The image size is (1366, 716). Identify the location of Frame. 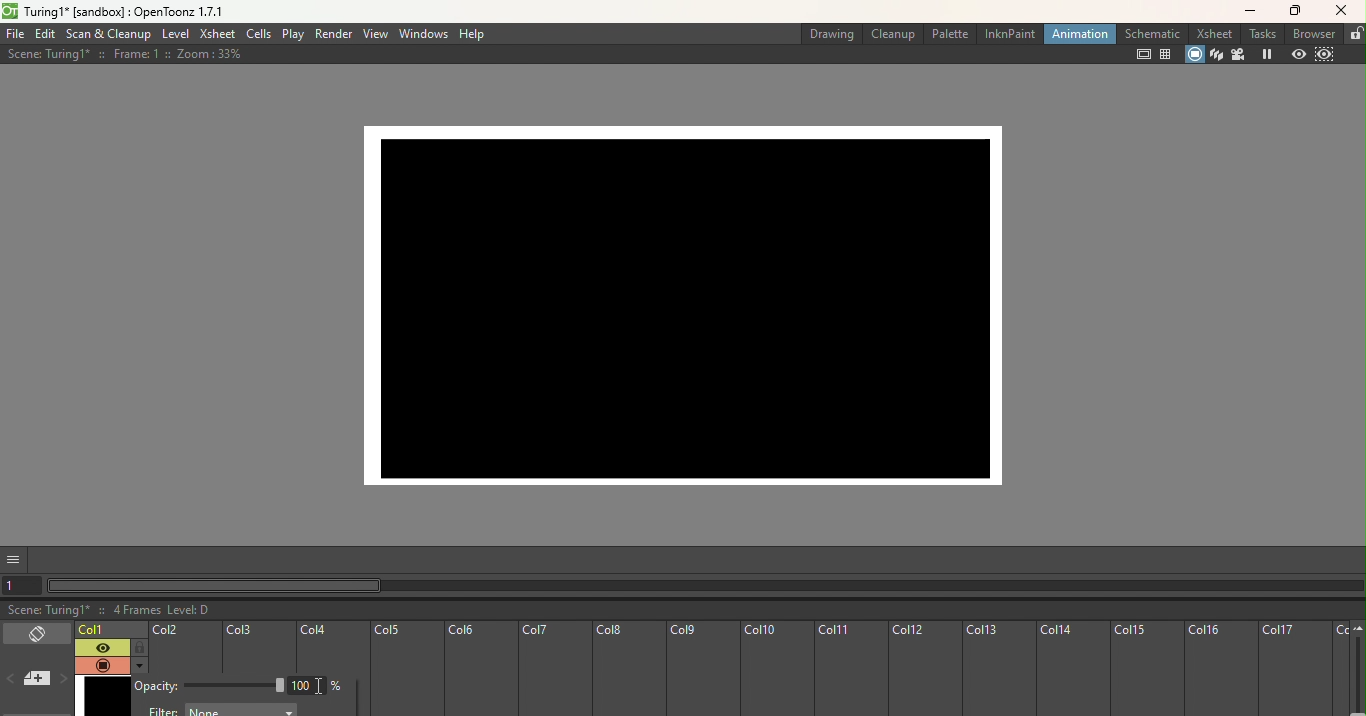
(103, 696).